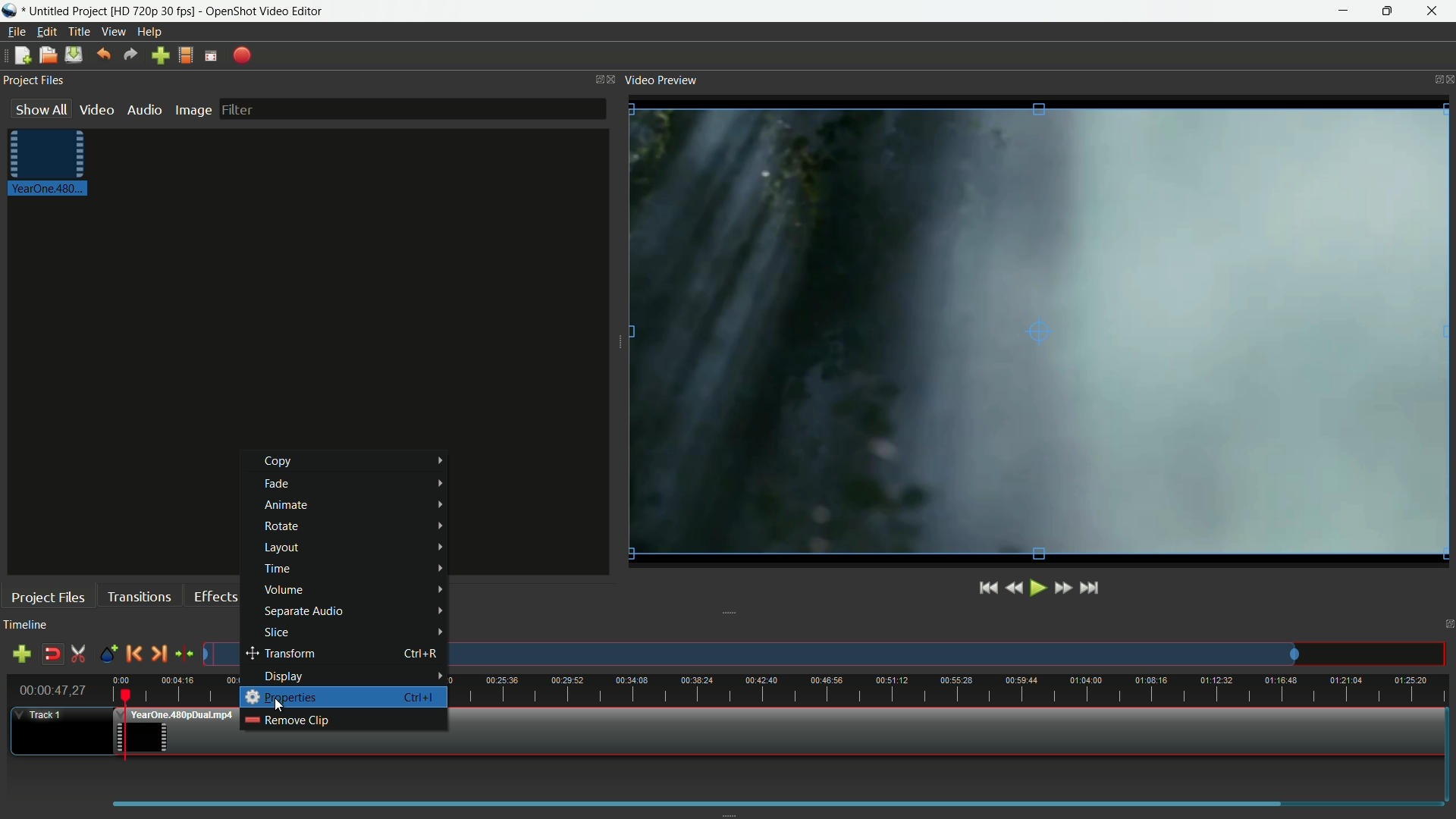 This screenshot has width=1456, height=819. Describe the element at coordinates (62, 11) in the screenshot. I see `project name` at that location.